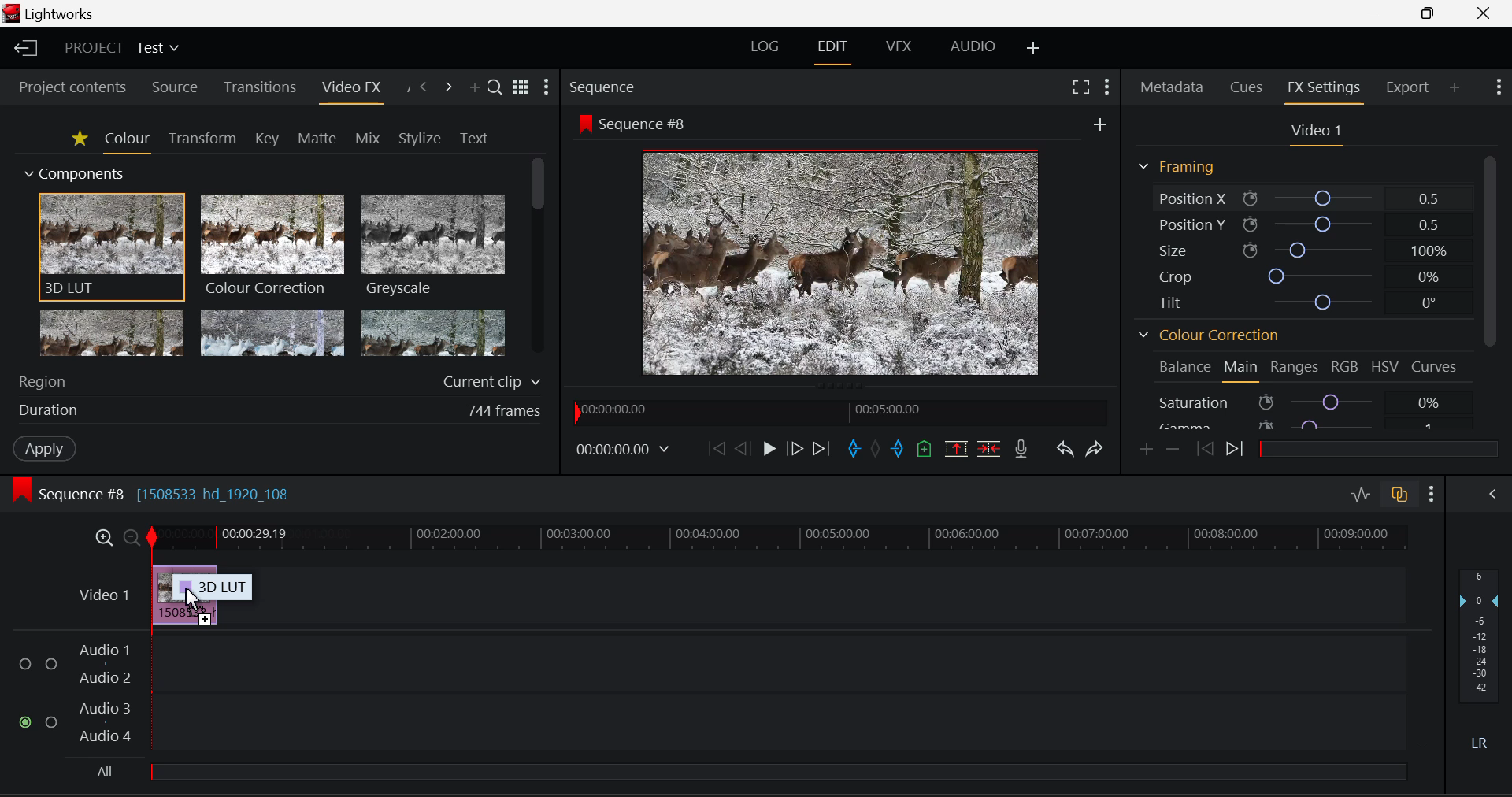 This screenshot has height=797, width=1512. I want to click on Frame Time , so click(622, 453).